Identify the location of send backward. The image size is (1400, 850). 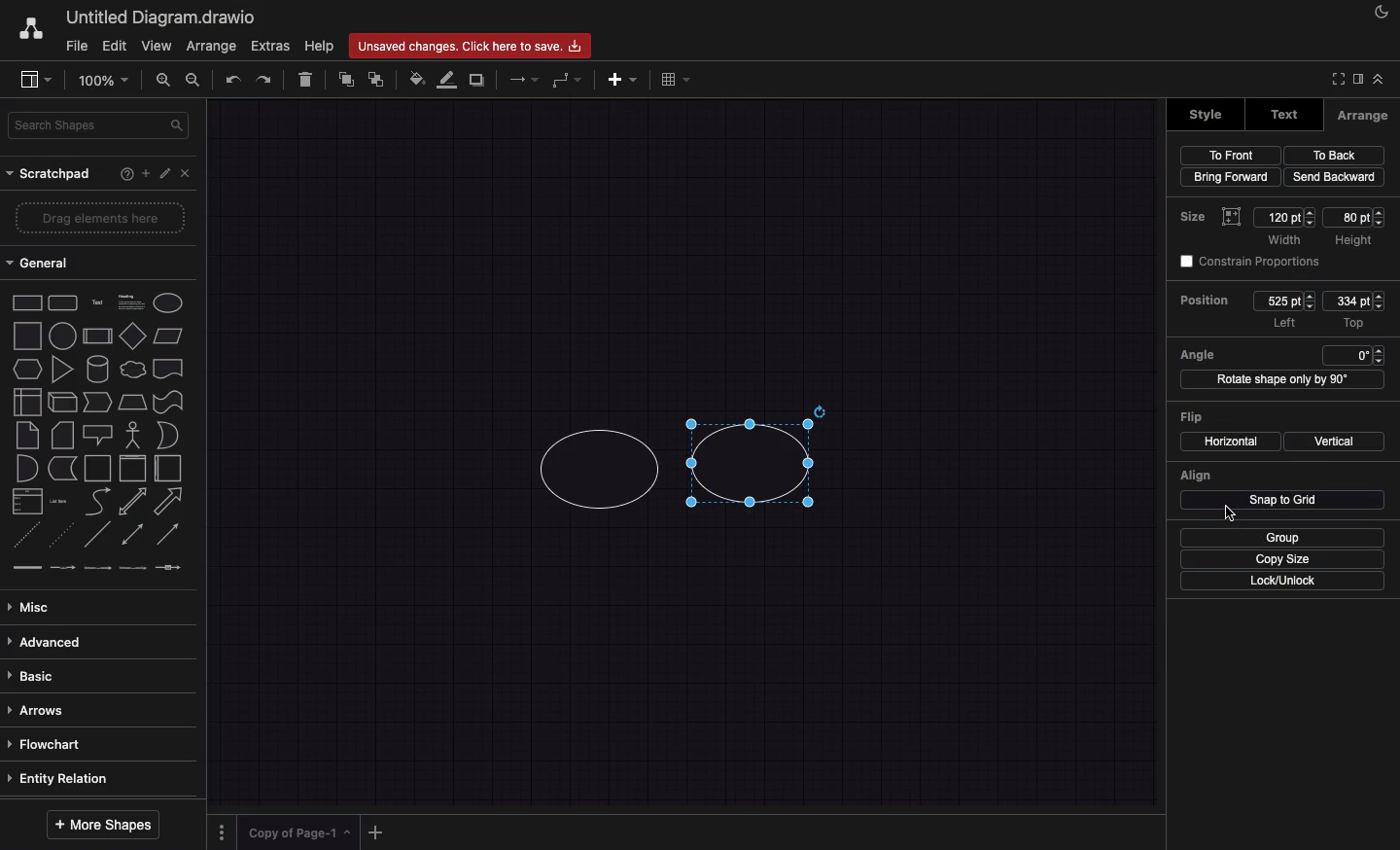
(1334, 177).